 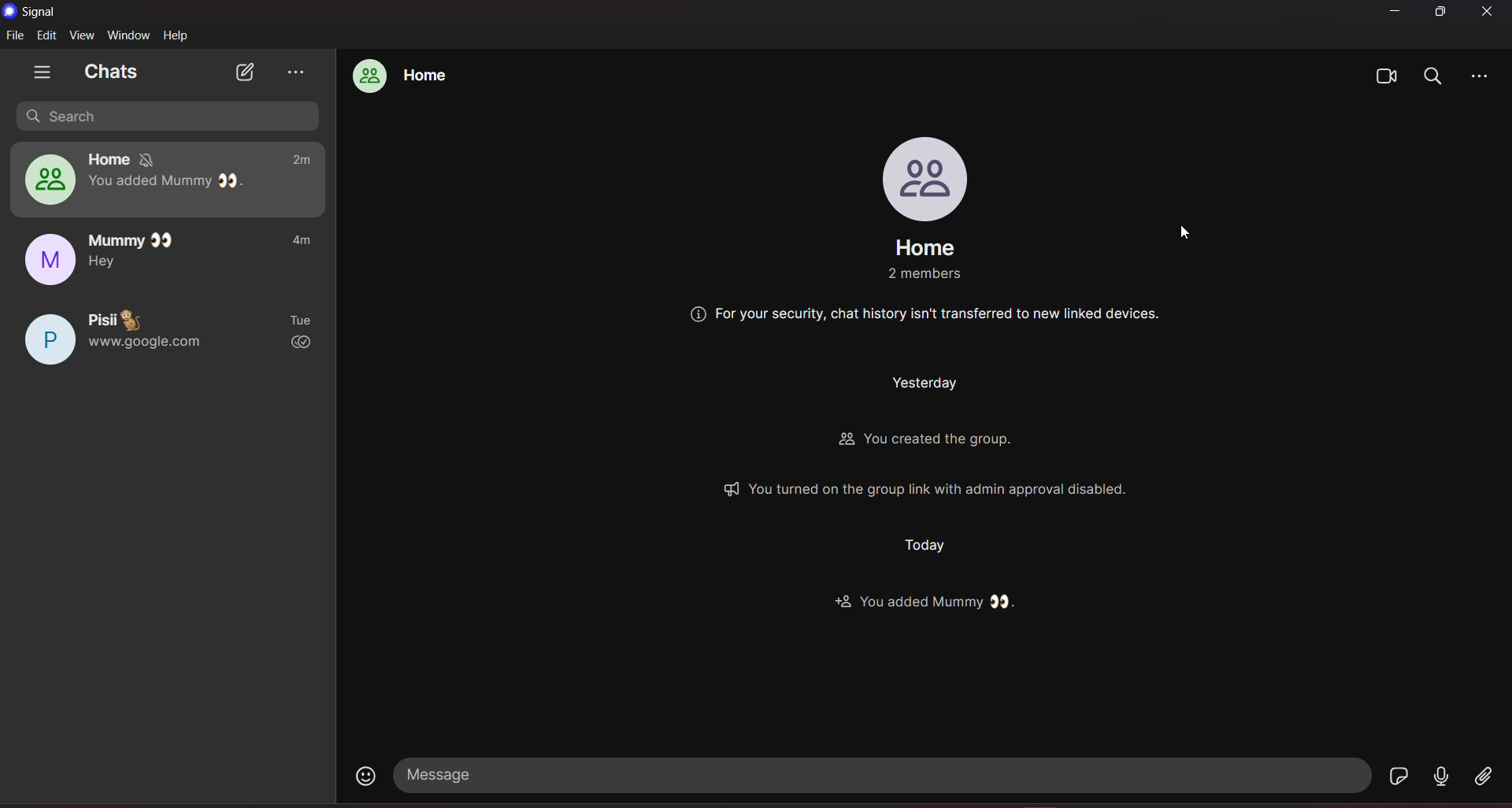 What do you see at coordinates (367, 775) in the screenshot?
I see `emojis` at bounding box center [367, 775].